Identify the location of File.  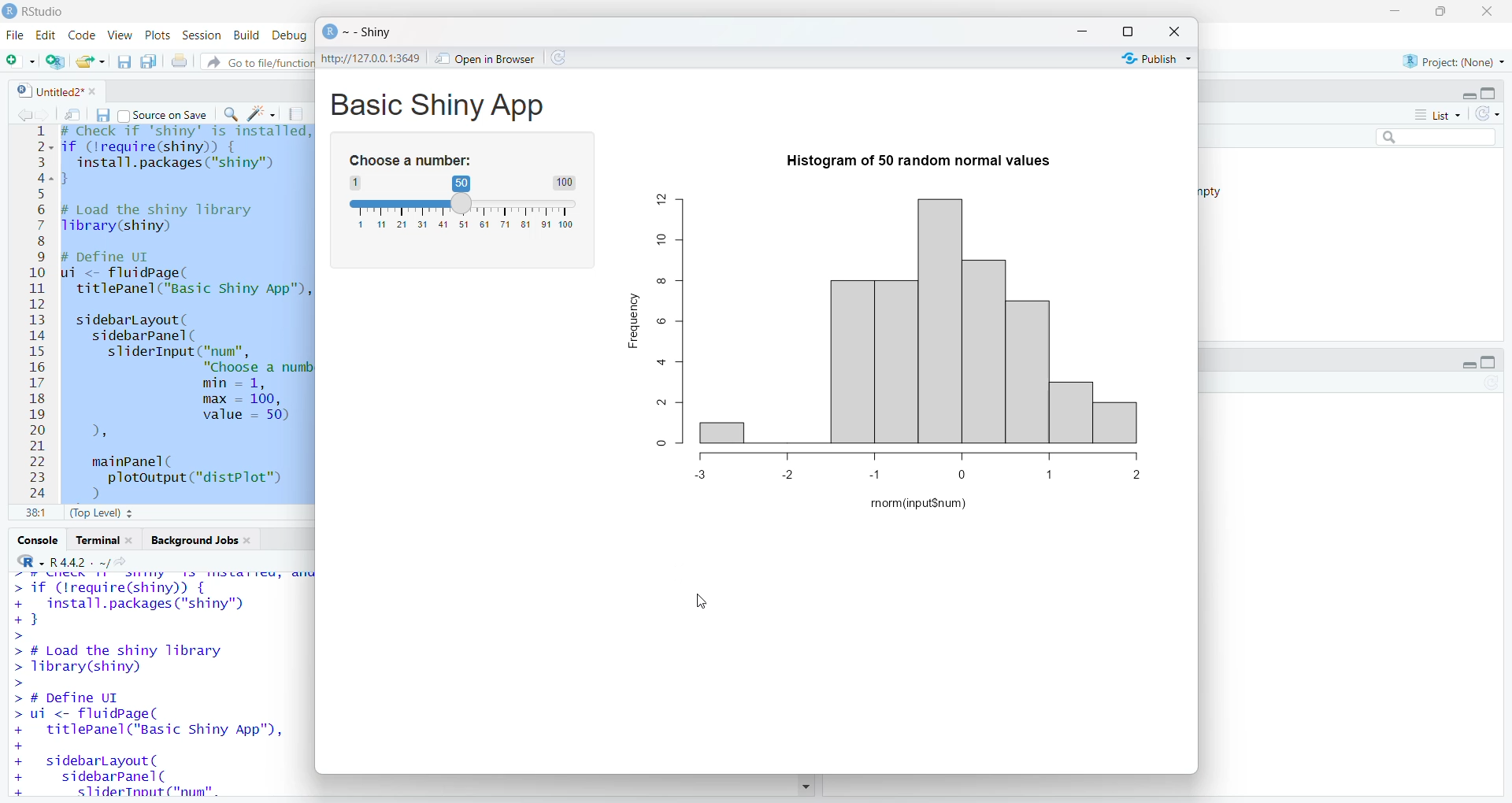
(16, 35).